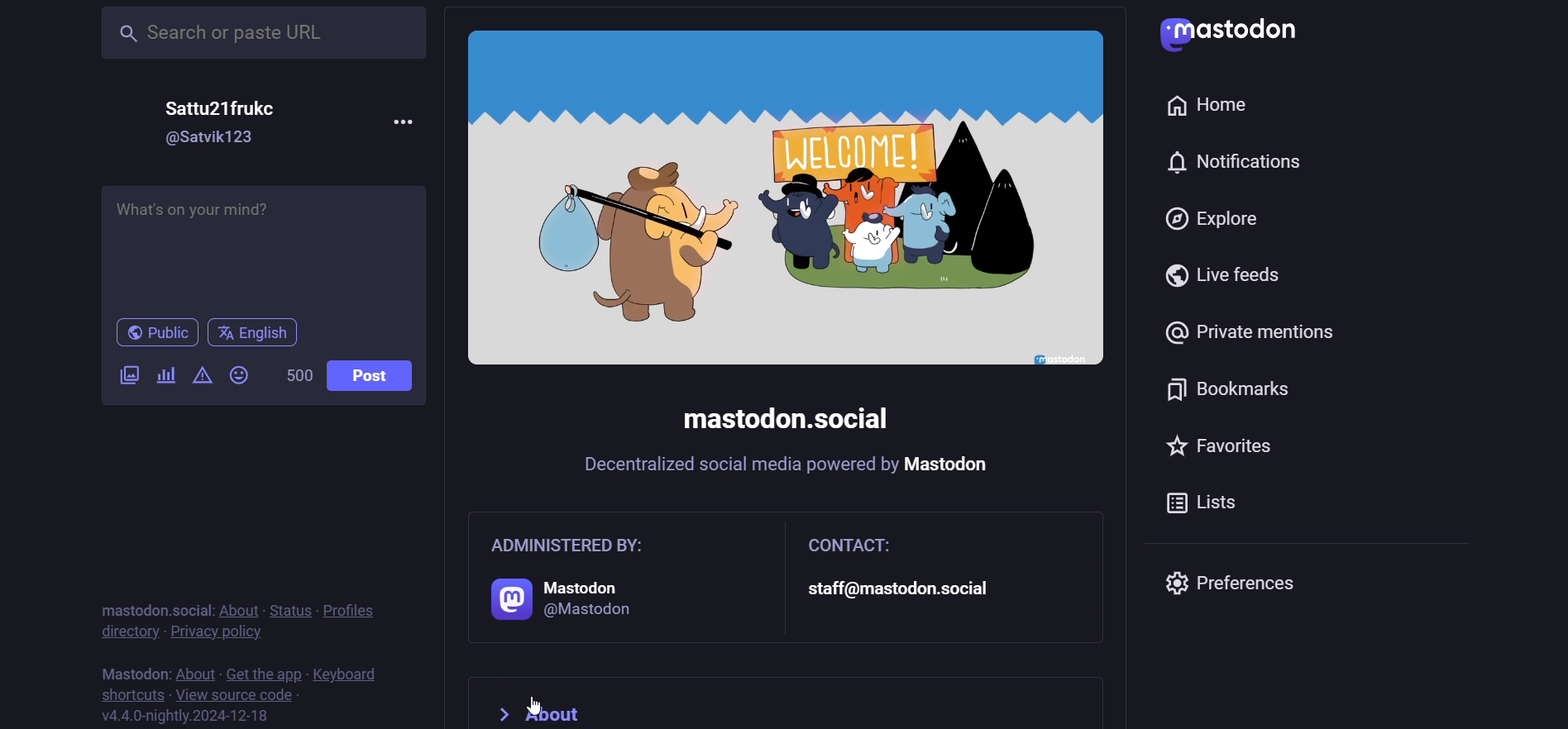  I want to click on content warning, so click(201, 375).